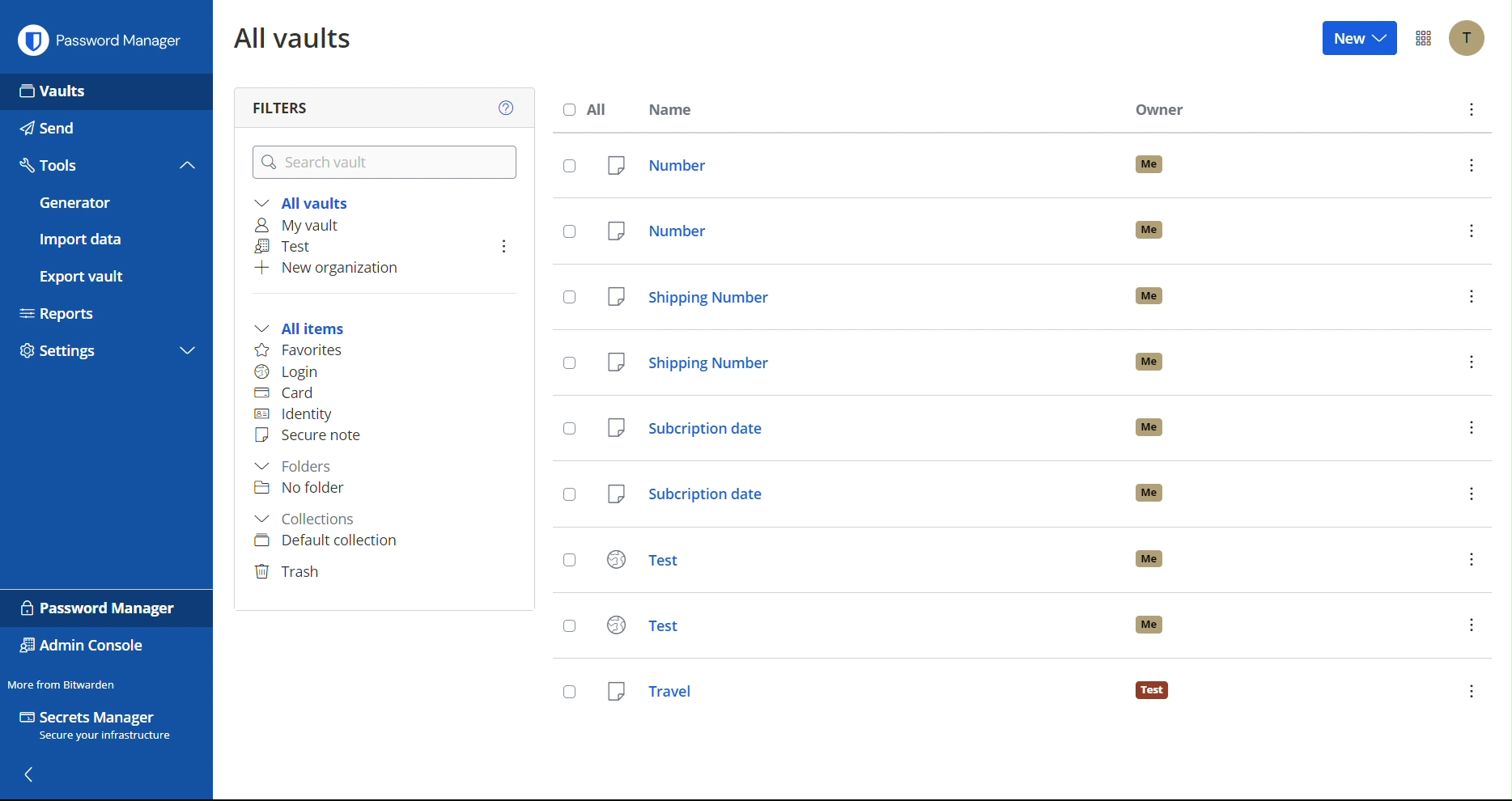 The image size is (1512, 801). I want to click on Export vault, so click(100, 276).